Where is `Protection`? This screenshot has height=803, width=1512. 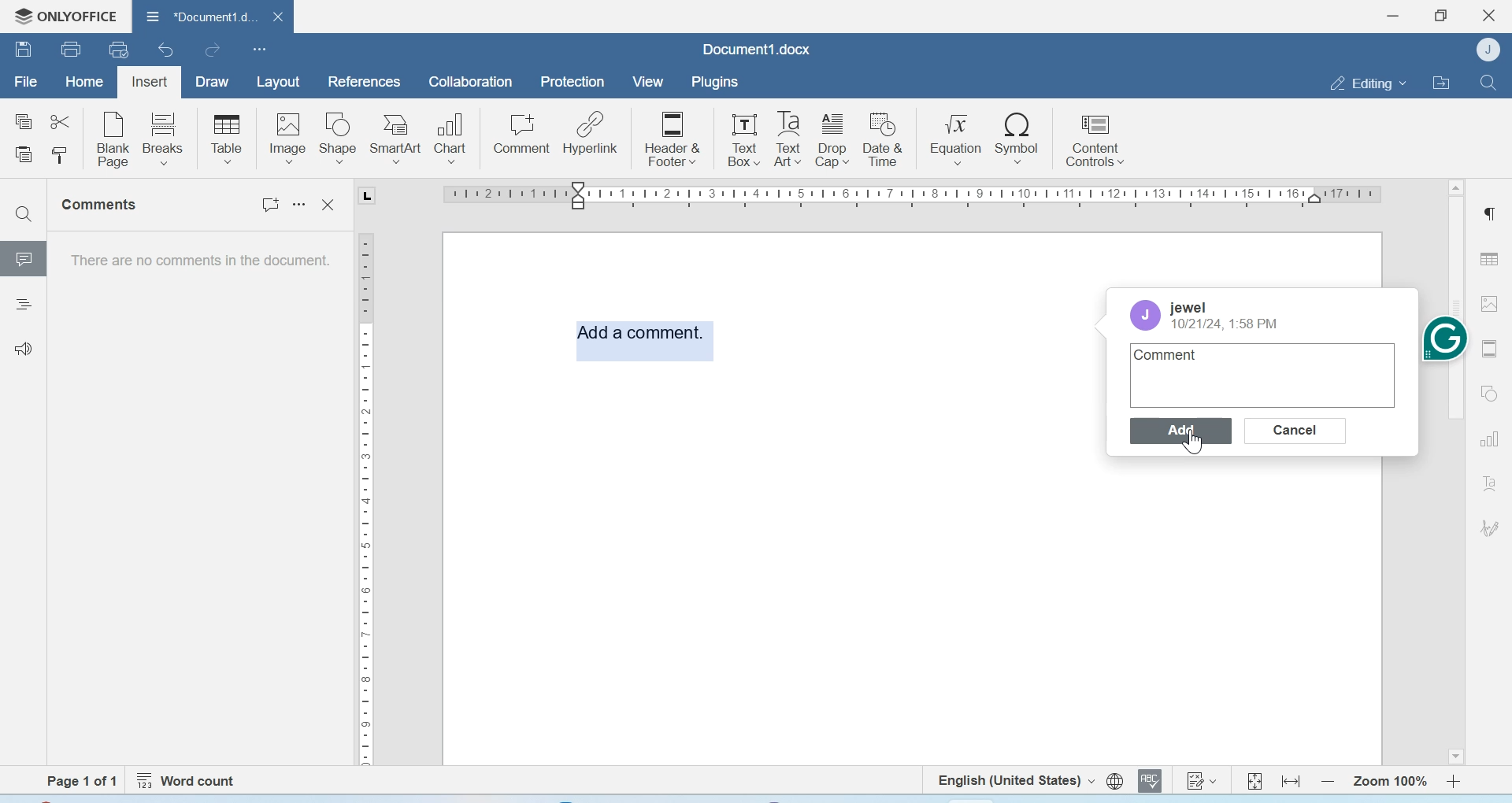
Protection is located at coordinates (573, 83).